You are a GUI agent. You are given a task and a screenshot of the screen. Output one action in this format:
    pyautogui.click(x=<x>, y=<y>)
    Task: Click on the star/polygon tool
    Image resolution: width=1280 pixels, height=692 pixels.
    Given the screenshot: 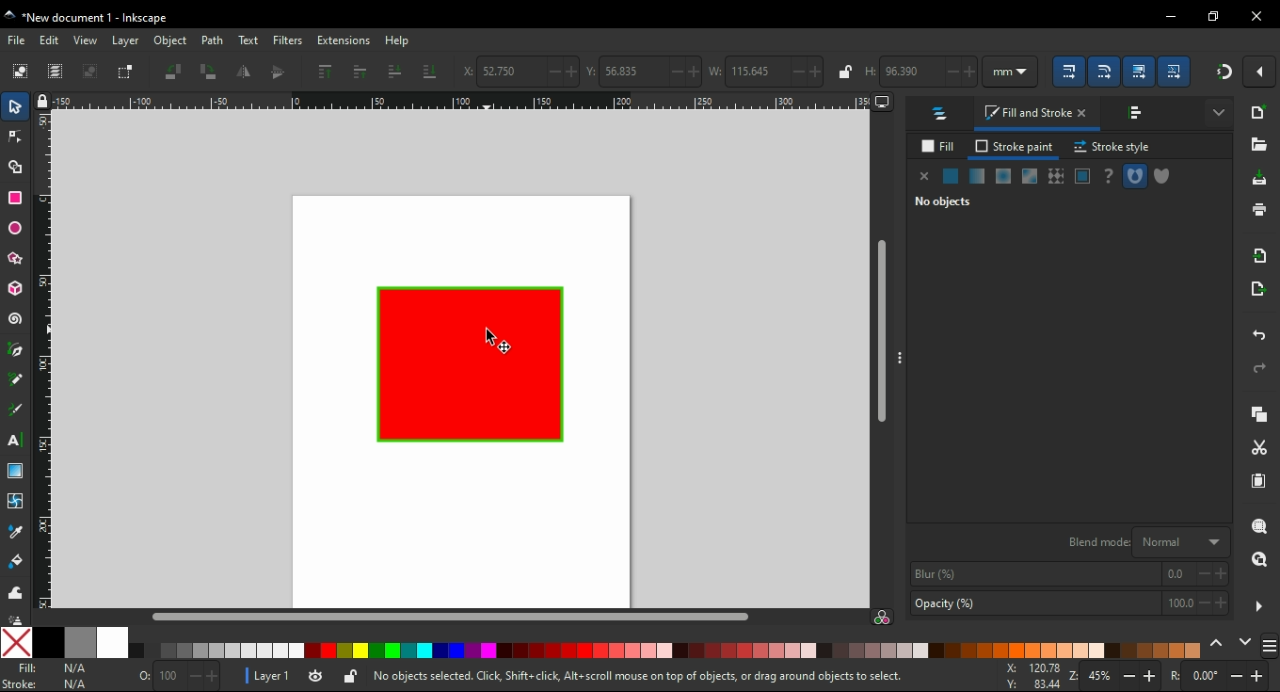 What is the action you would take?
    pyautogui.click(x=17, y=259)
    